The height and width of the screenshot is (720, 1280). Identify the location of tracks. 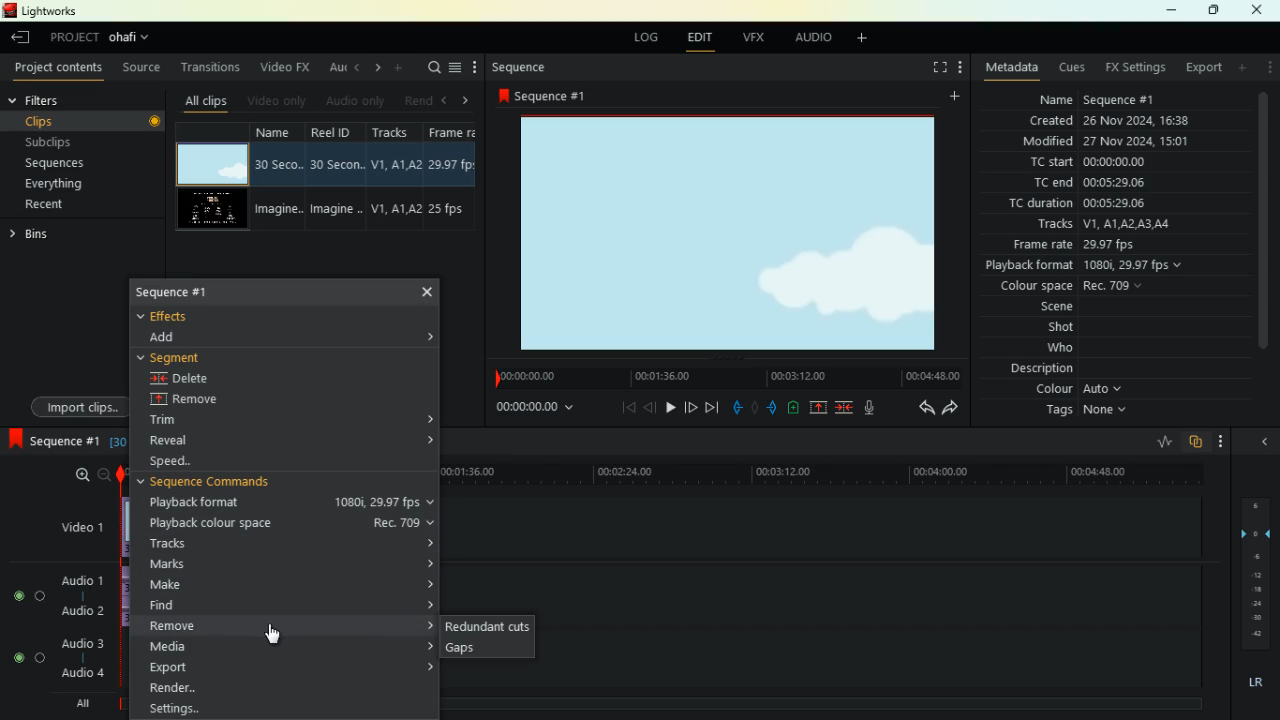
(398, 175).